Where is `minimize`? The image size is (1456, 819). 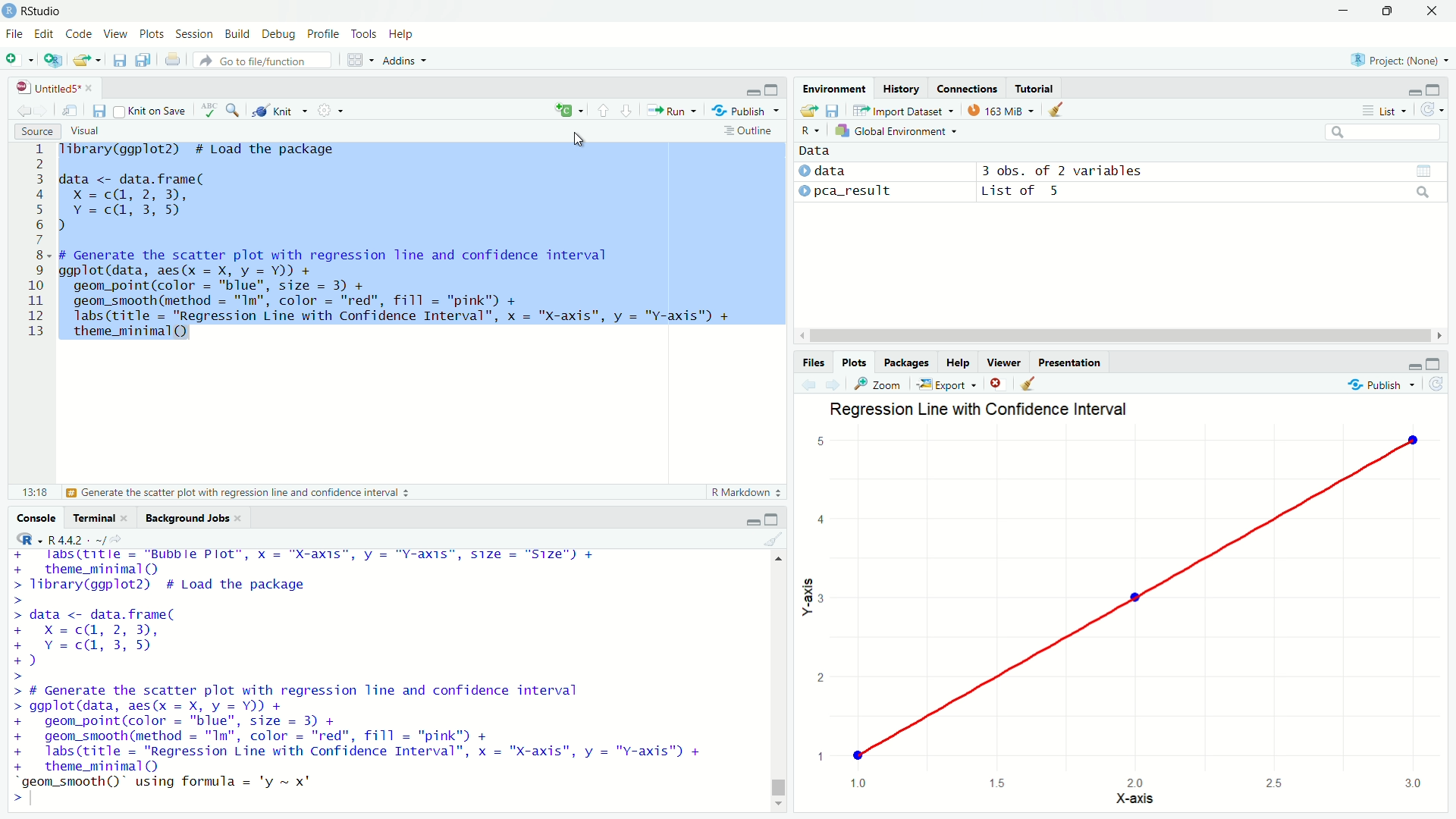 minimize is located at coordinates (751, 519).